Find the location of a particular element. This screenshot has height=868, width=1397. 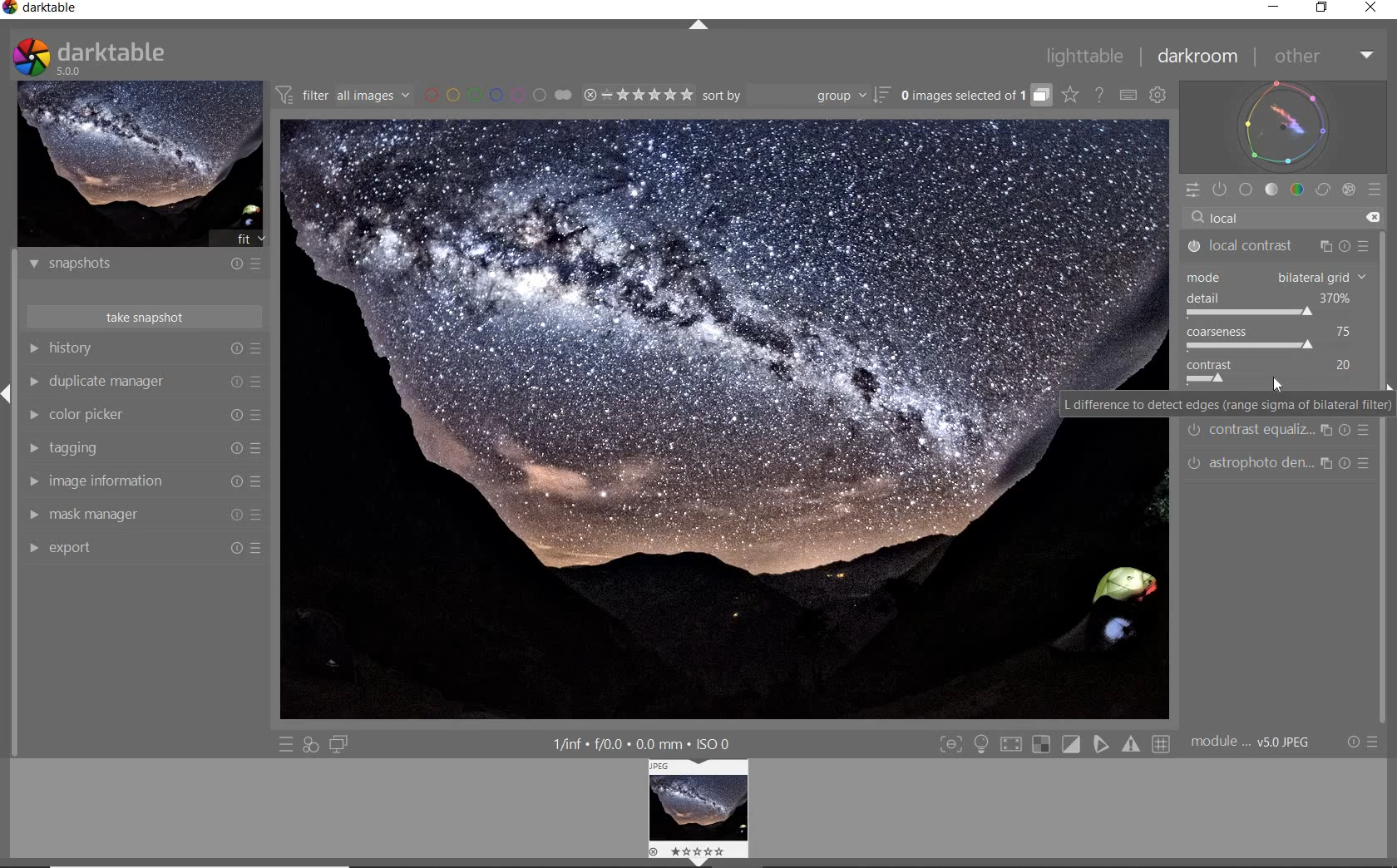

Image Preview is located at coordinates (667, 418).